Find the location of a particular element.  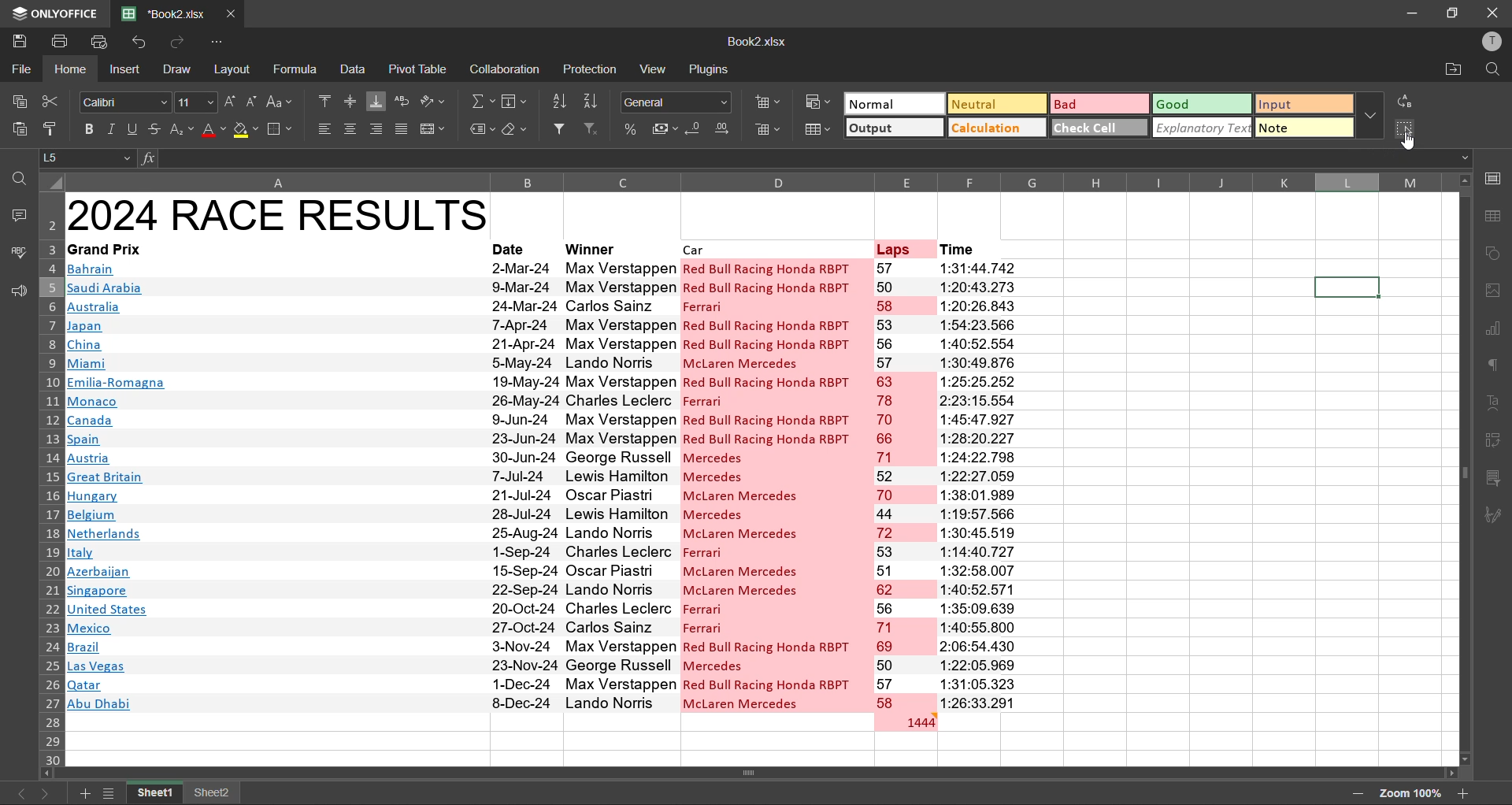

align left is located at coordinates (323, 129).